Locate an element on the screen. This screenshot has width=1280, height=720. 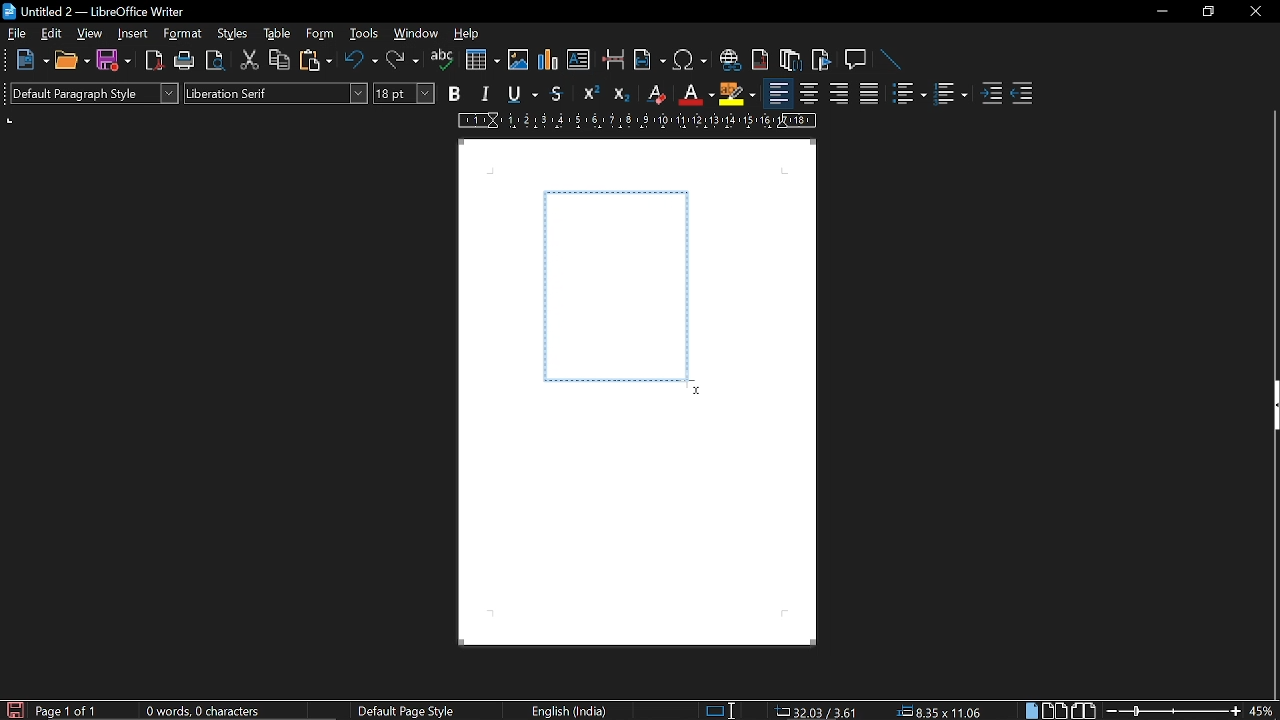
page 1 of 1 is located at coordinates (71, 711).